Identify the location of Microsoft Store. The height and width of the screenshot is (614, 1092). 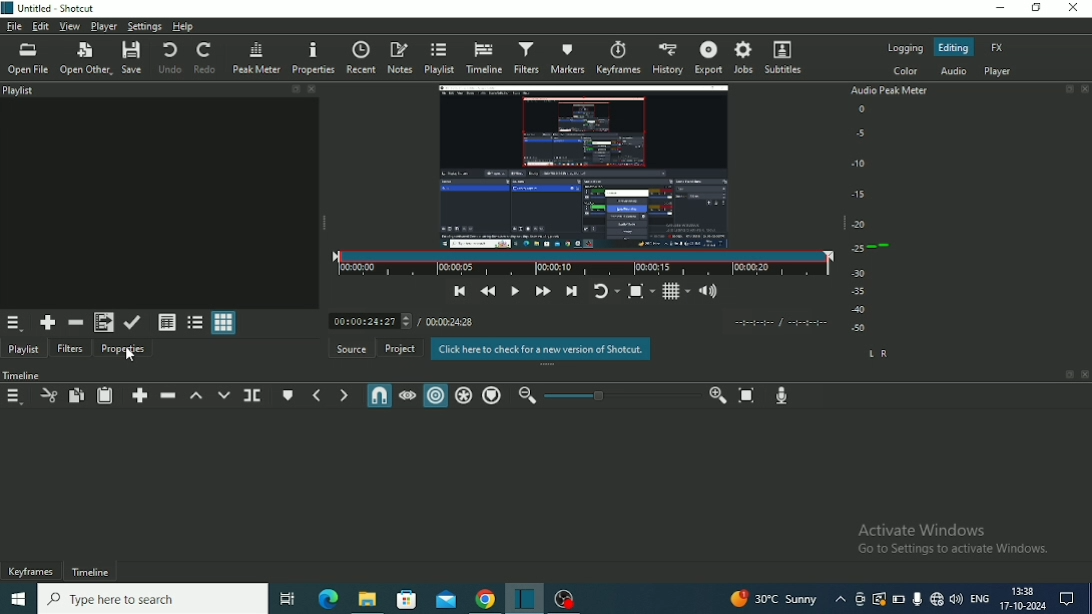
(404, 600).